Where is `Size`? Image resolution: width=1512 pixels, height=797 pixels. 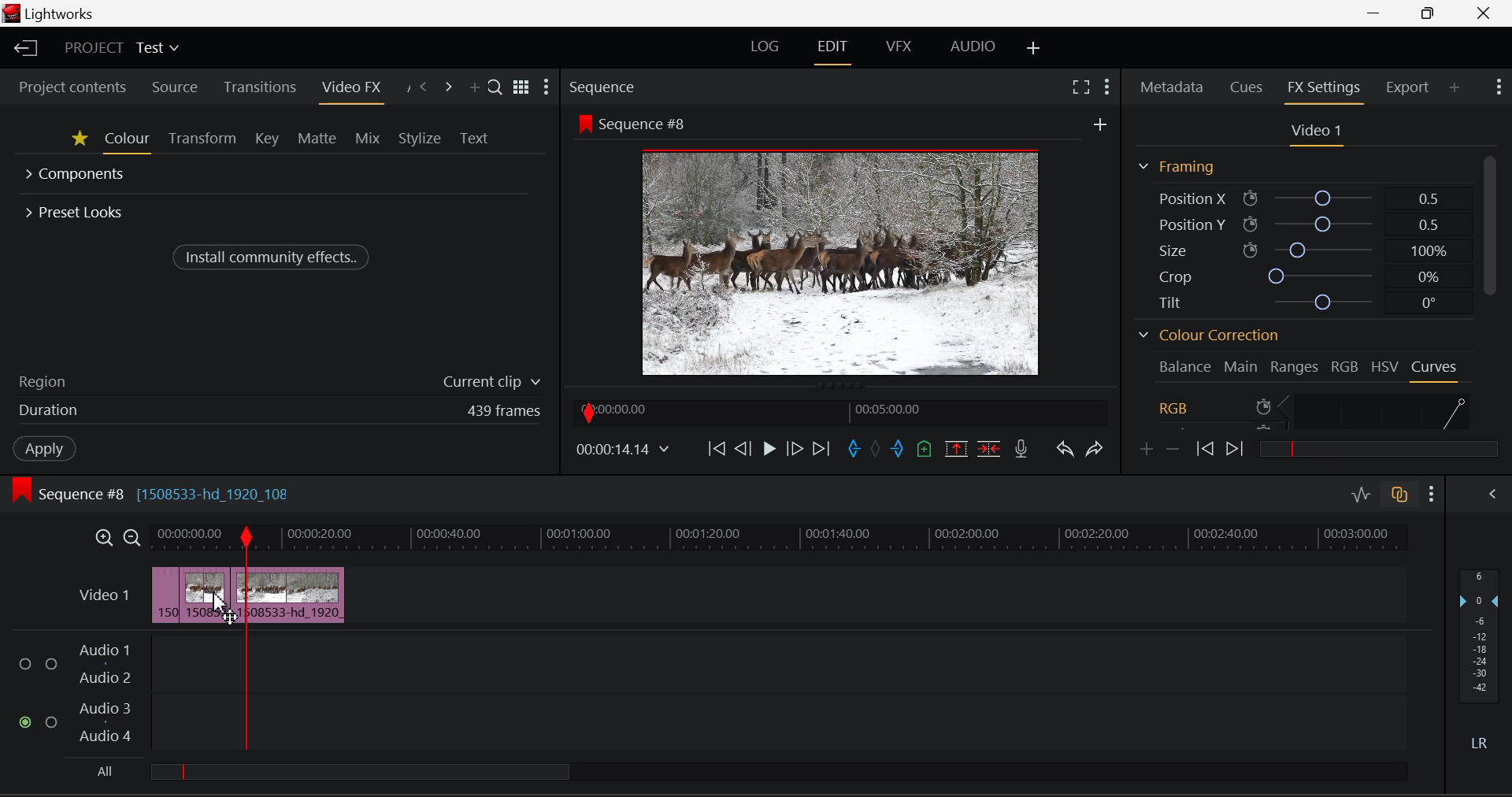 Size is located at coordinates (1299, 250).